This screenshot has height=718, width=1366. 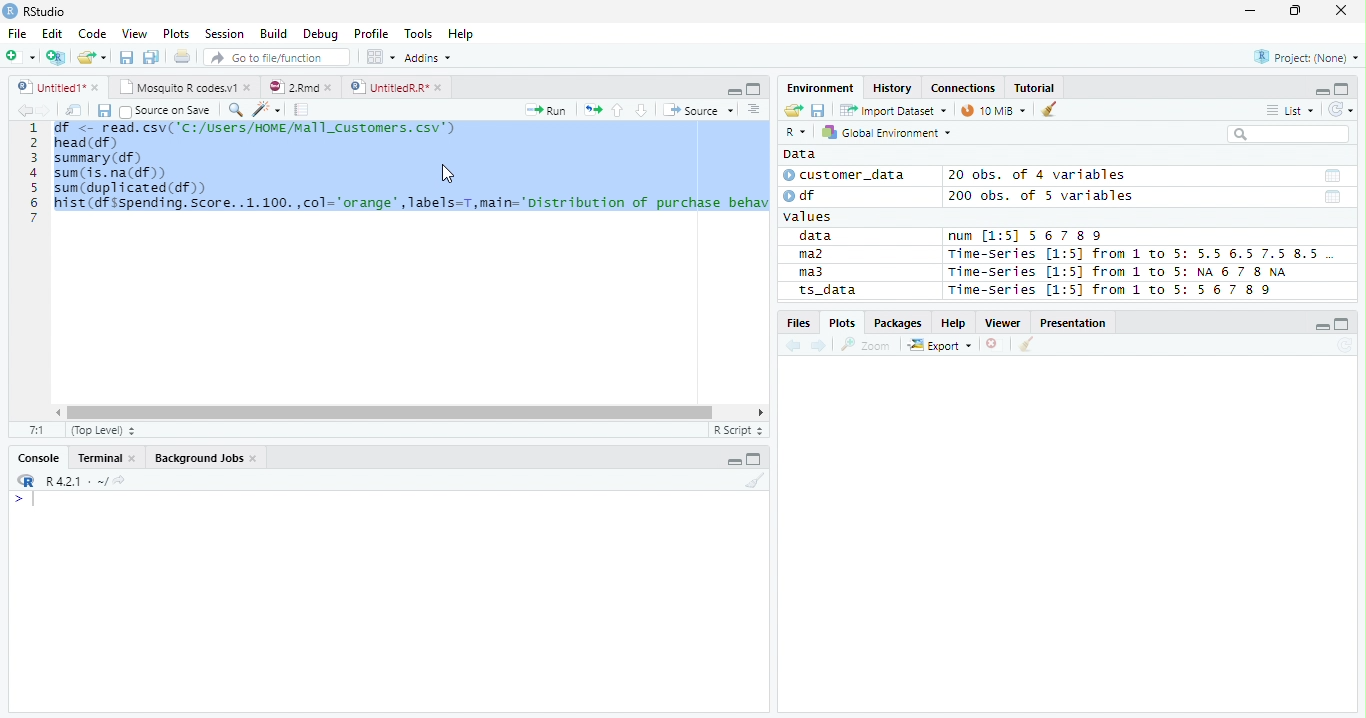 I want to click on Files, so click(x=798, y=323).